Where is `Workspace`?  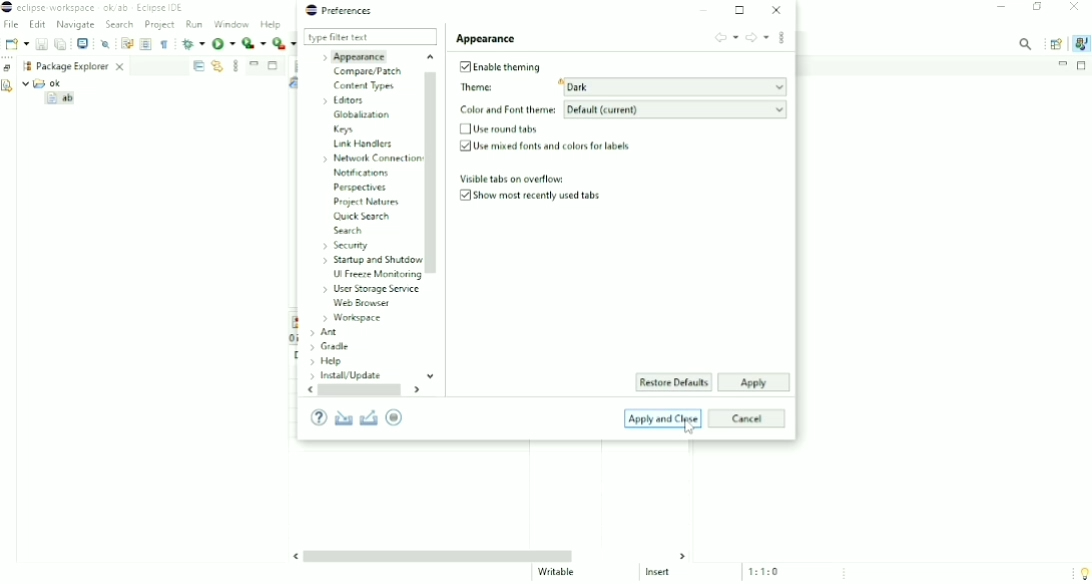 Workspace is located at coordinates (25, 66).